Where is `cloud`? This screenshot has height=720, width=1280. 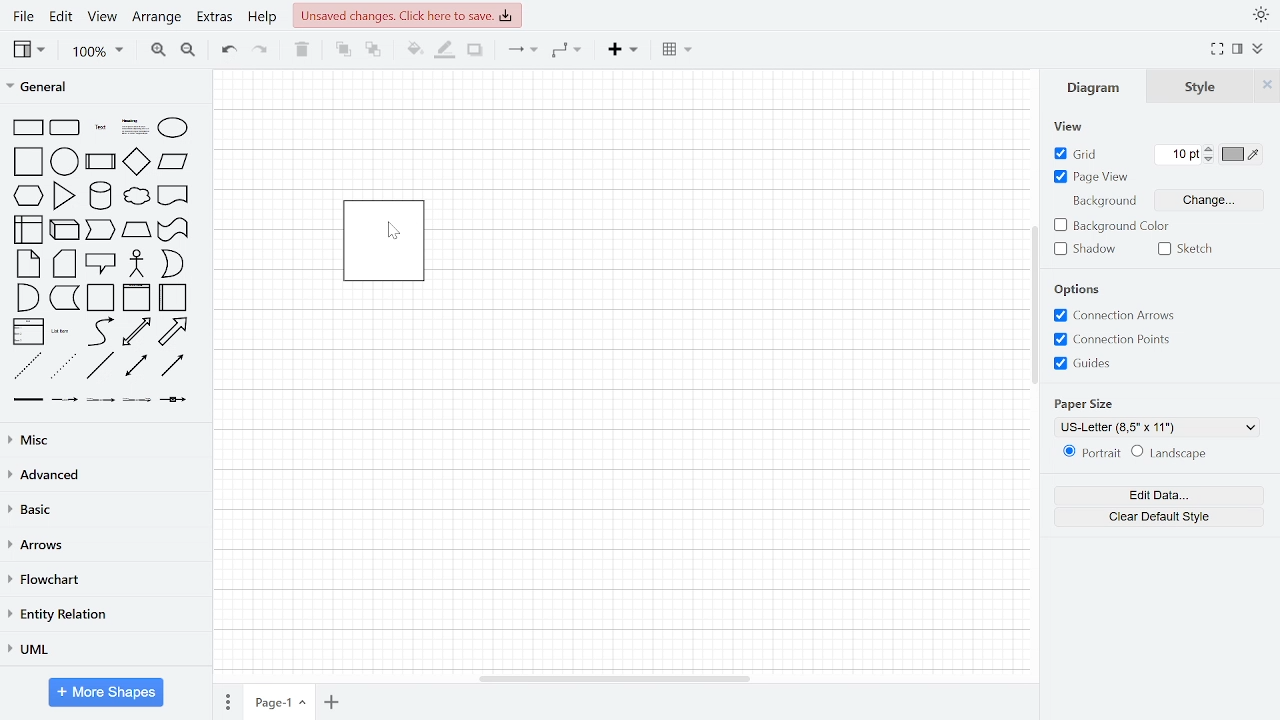 cloud is located at coordinates (136, 197).